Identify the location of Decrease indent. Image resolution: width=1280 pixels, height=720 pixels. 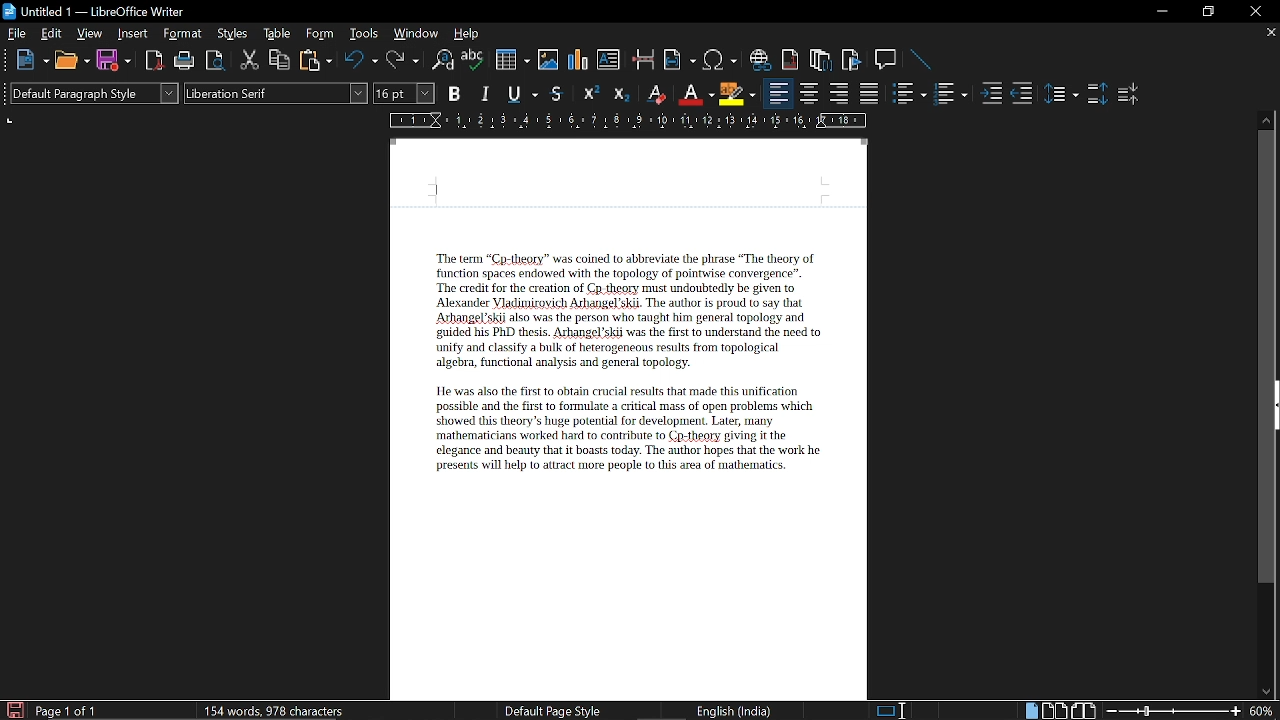
(1022, 93).